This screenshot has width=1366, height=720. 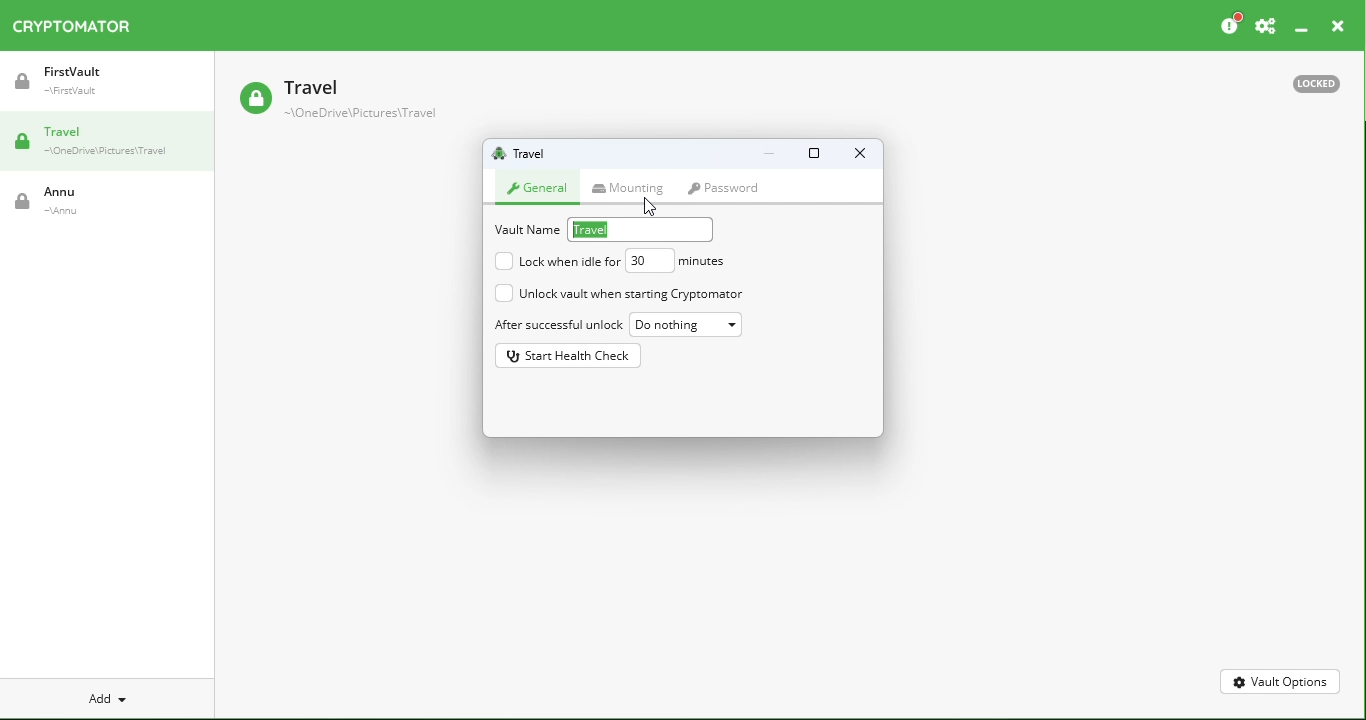 What do you see at coordinates (556, 261) in the screenshot?
I see `Lock when idle for` at bounding box center [556, 261].